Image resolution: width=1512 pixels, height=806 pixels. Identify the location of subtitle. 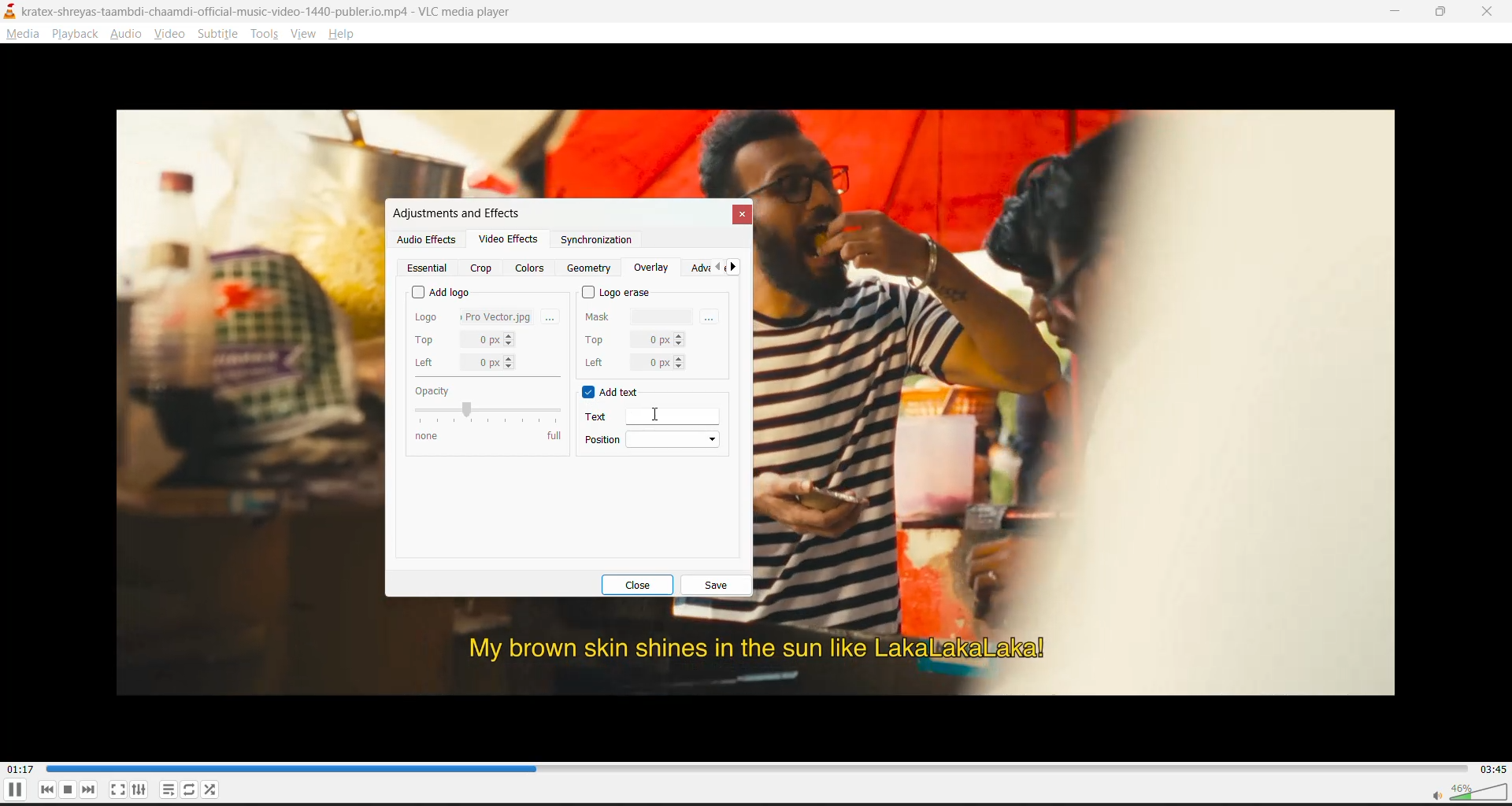
(220, 35).